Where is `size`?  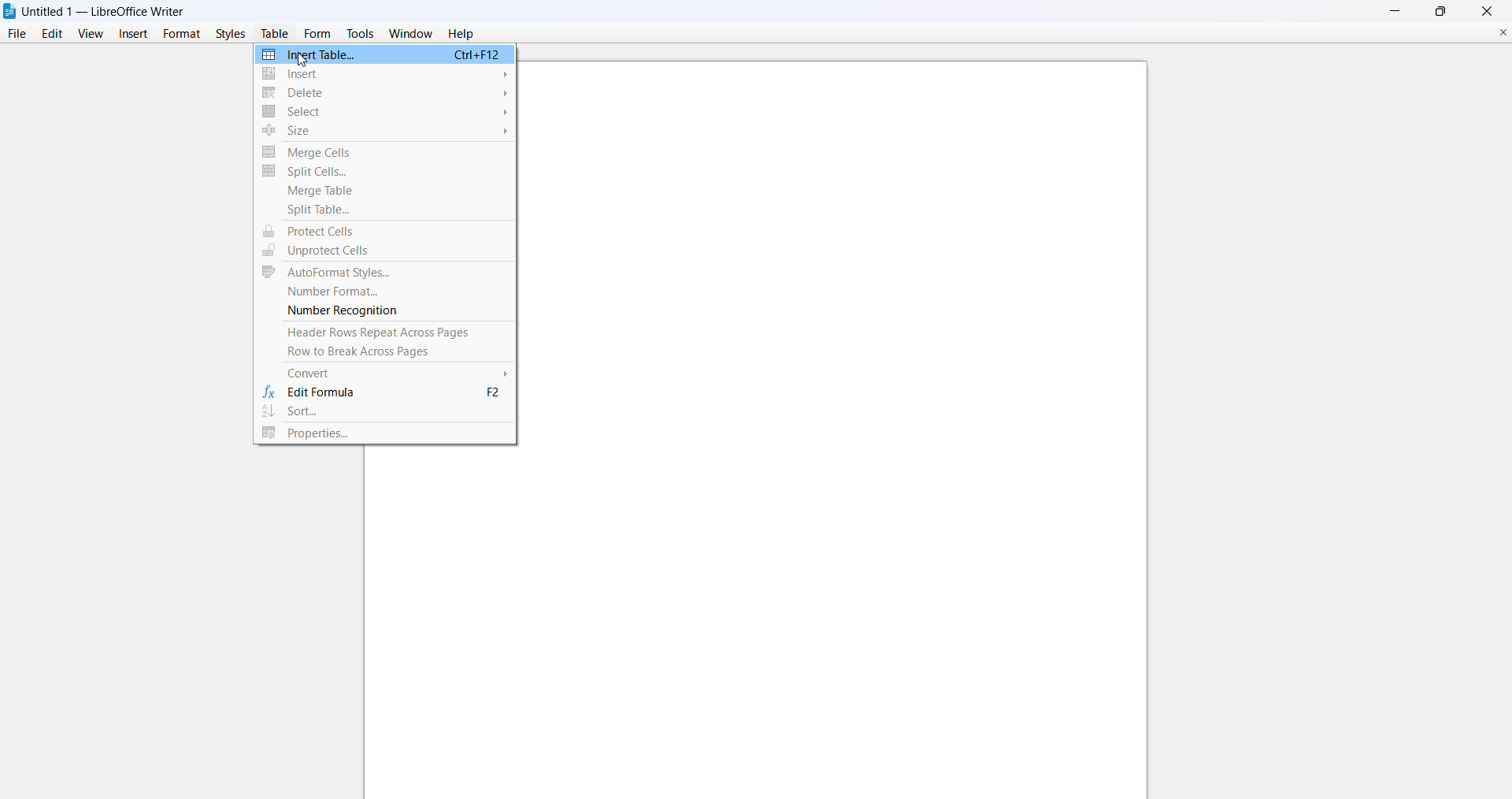 size is located at coordinates (386, 132).